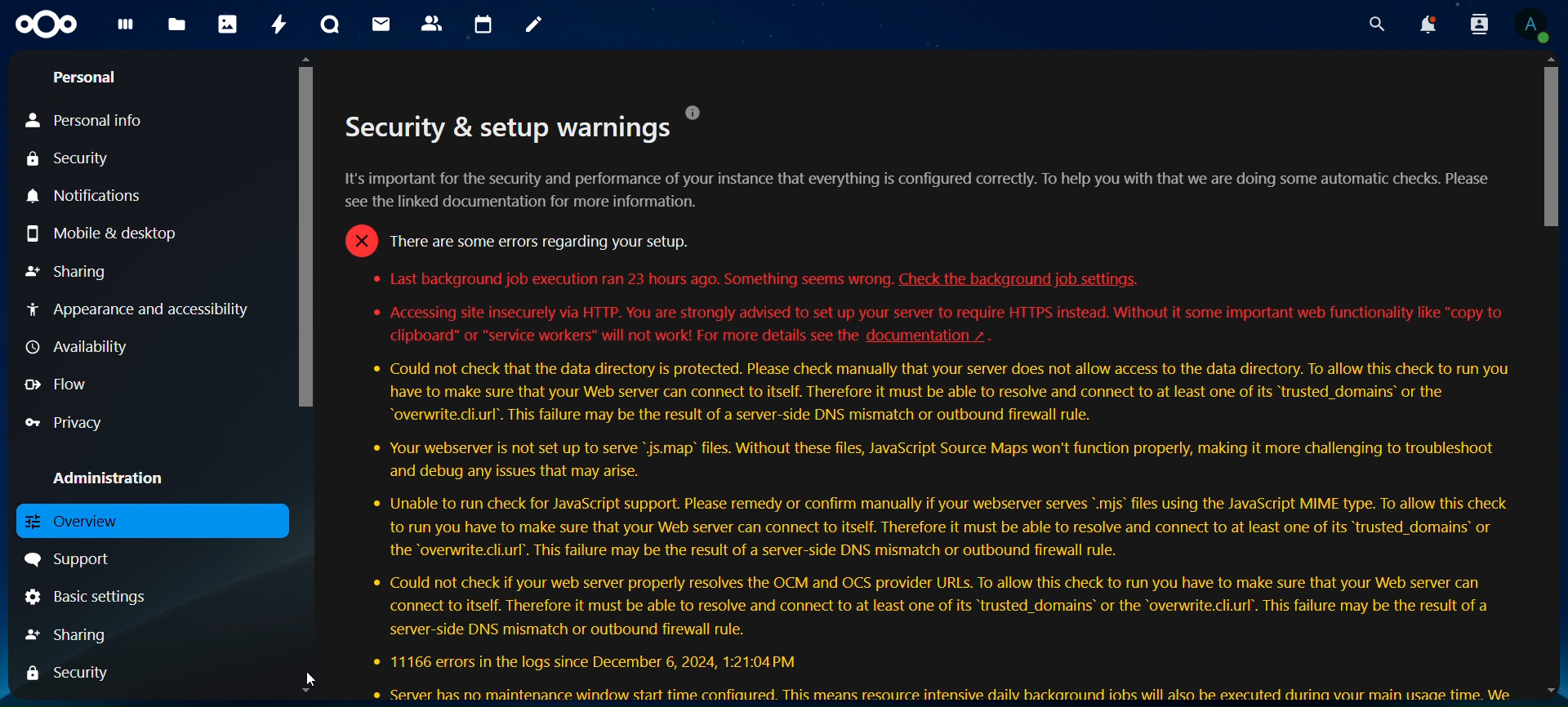 This screenshot has width=1568, height=707. What do you see at coordinates (1426, 24) in the screenshot?
I see `notifications` at bounding box center [1426, 24].